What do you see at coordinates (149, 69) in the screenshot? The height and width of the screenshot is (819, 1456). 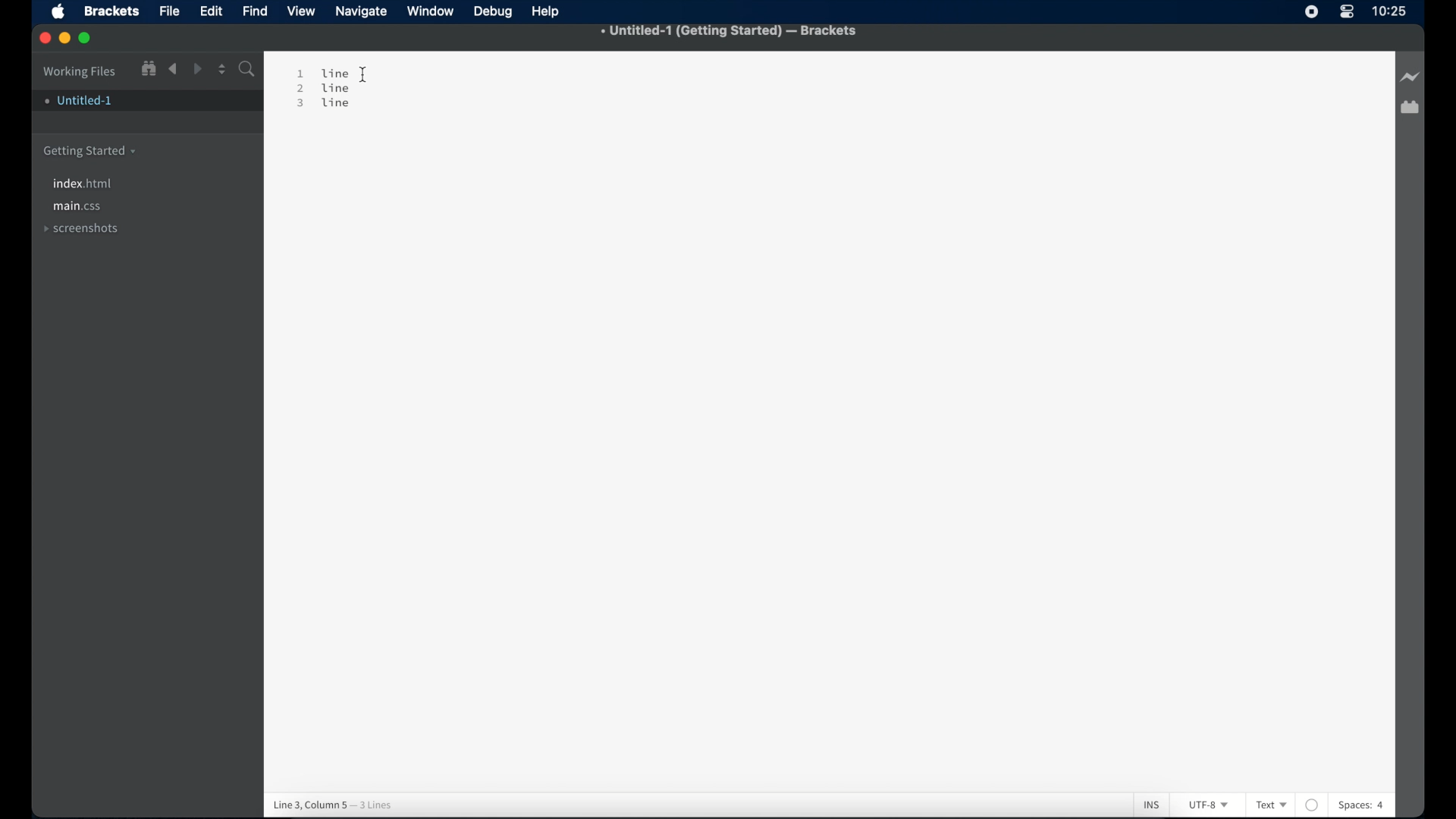 I see `show in file tree` at bounding box center [149, 69].